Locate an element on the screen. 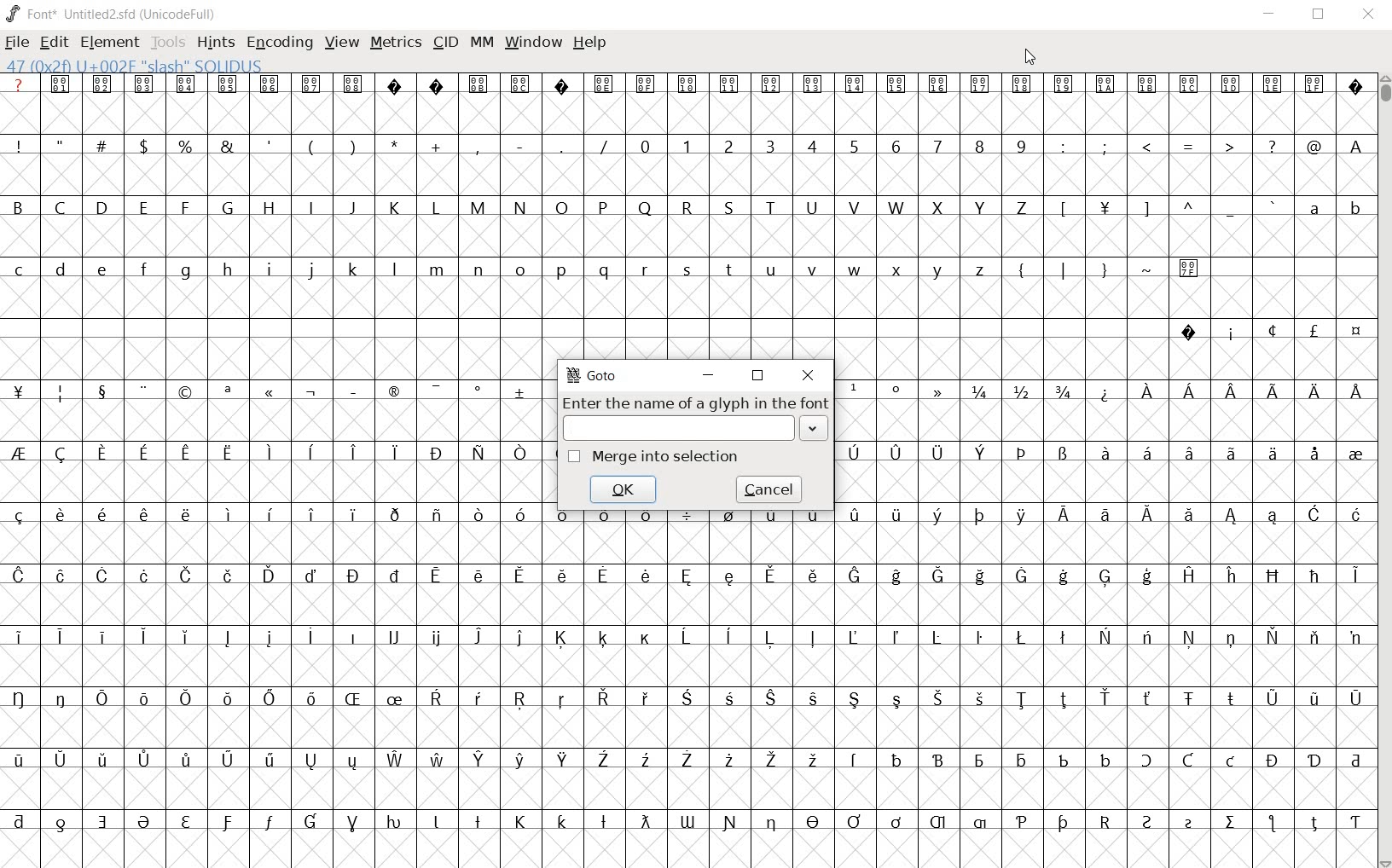  empty cells is located at coordinates (1102, 357).